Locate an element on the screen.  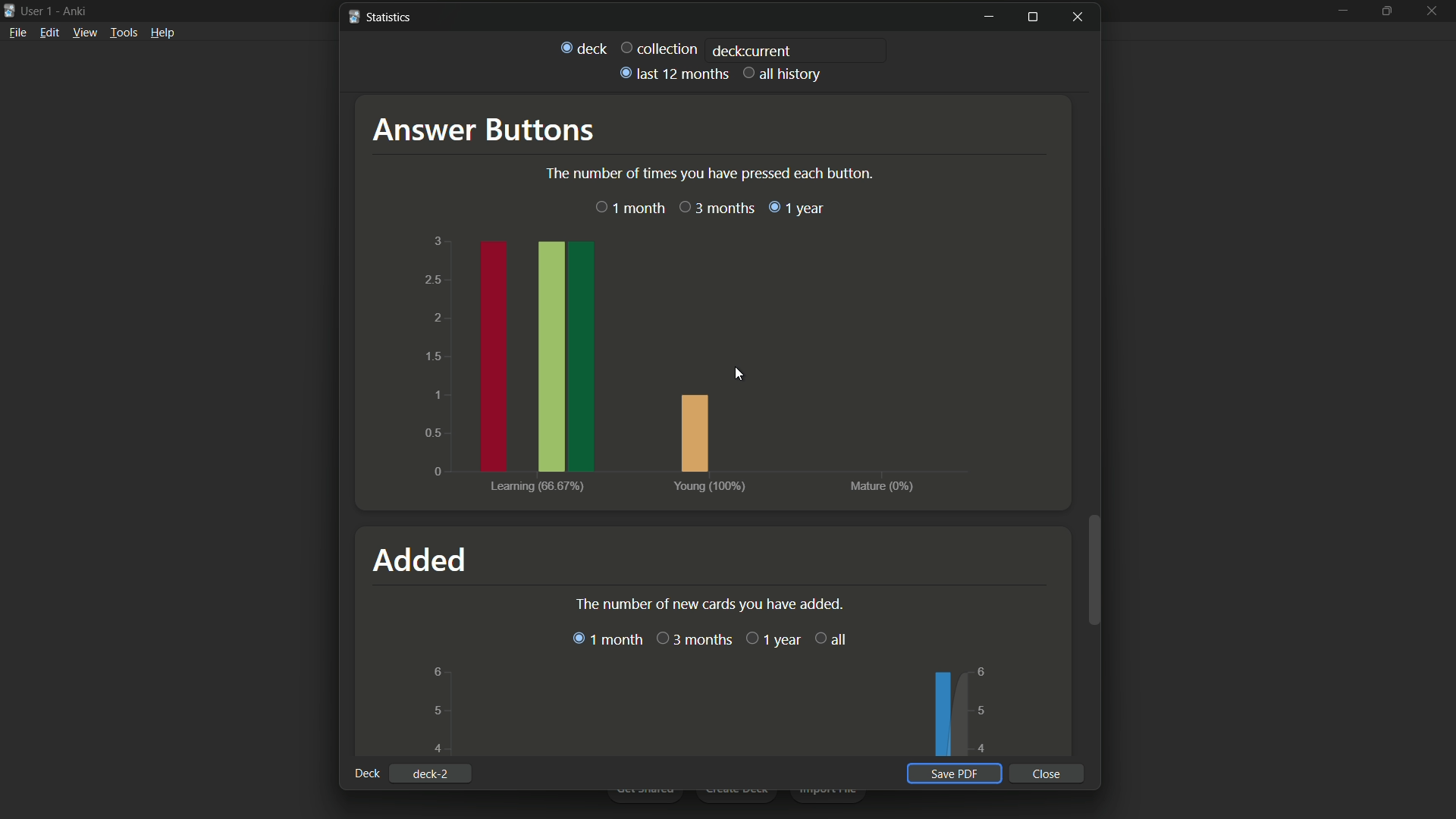
Statistics is located at coordinates (380, 18).